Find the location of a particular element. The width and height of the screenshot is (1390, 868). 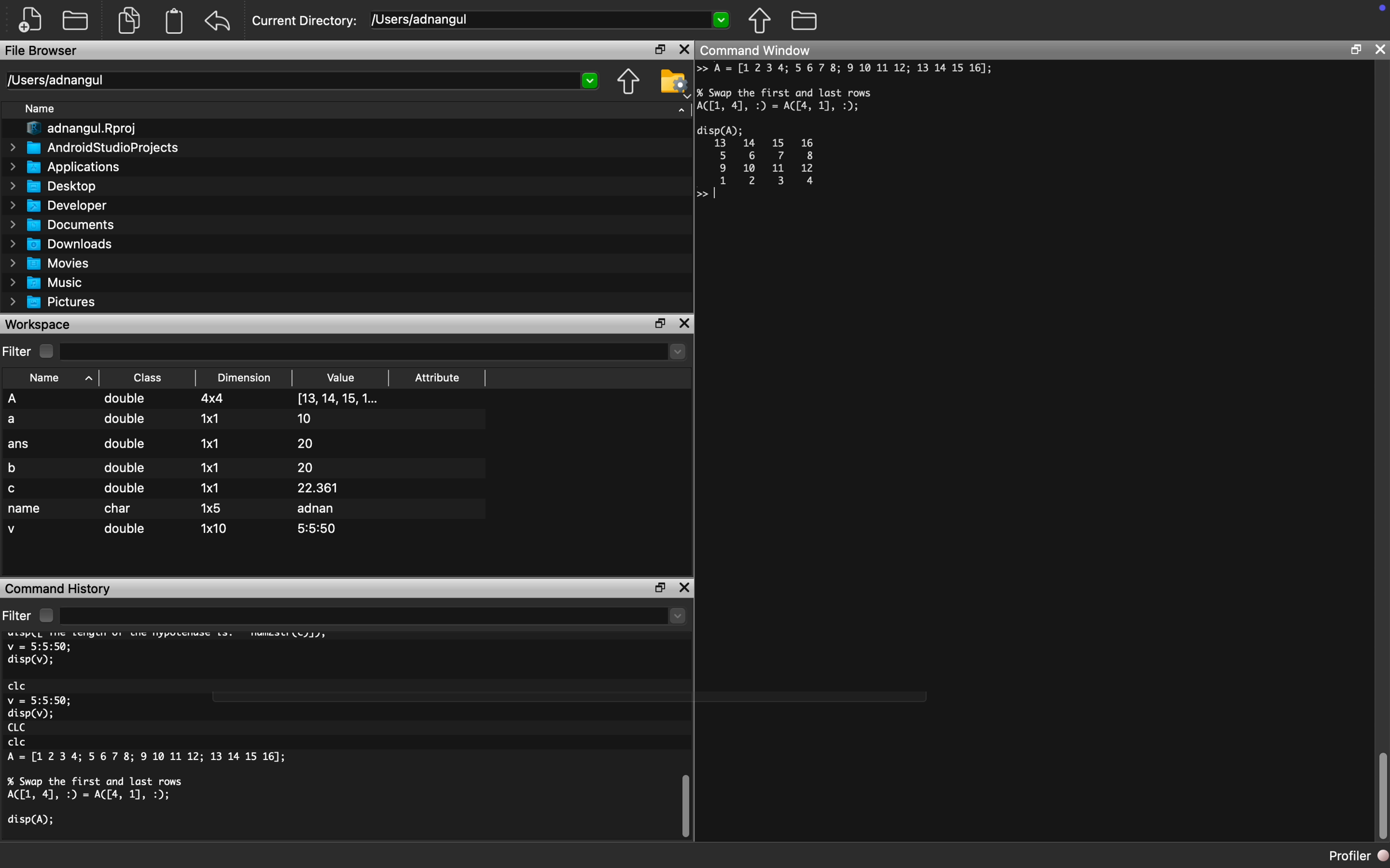

Profiler is located at coordinates (1349, 855).